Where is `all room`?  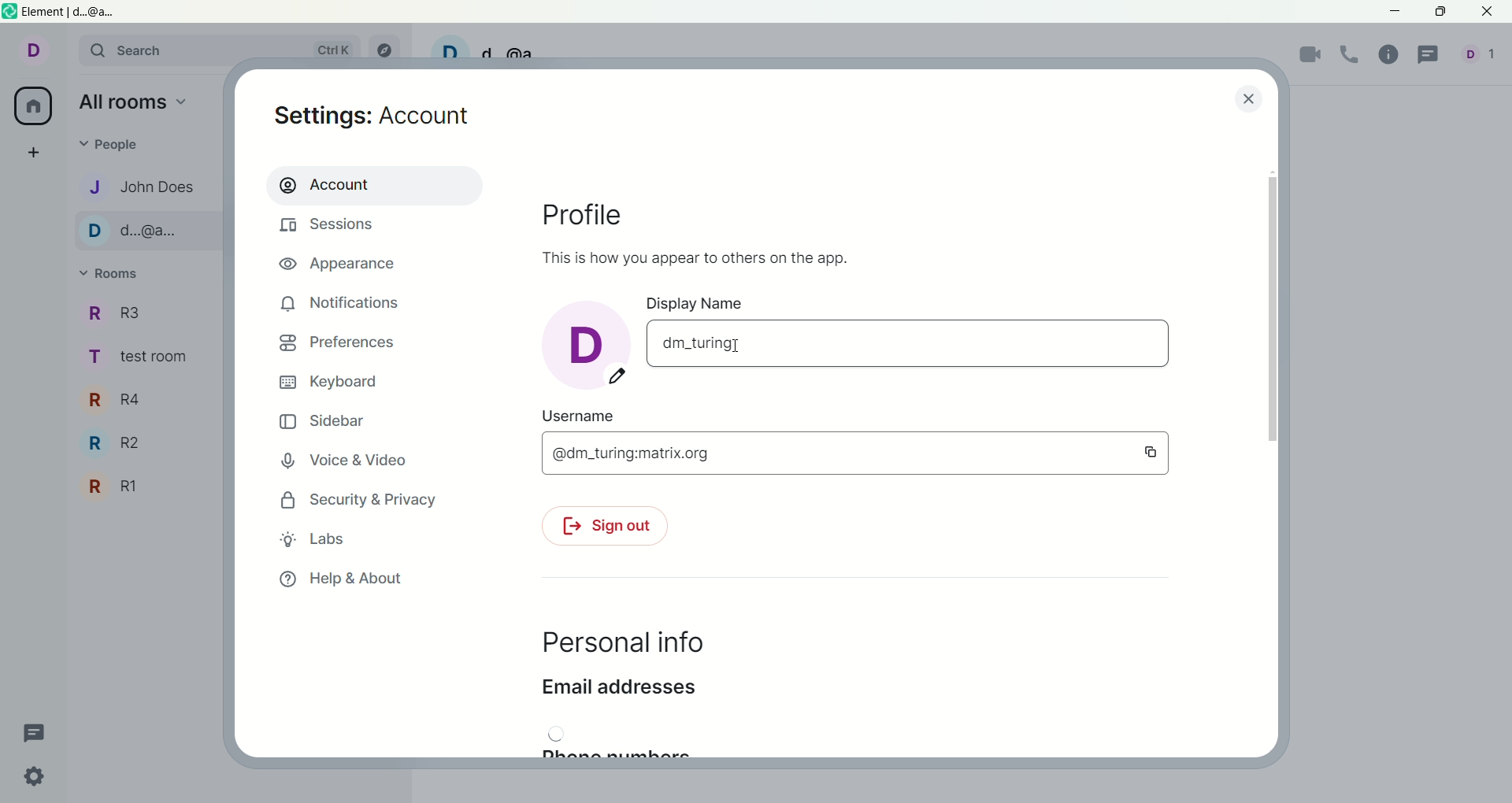
all room is located at coordinates (31, 107).